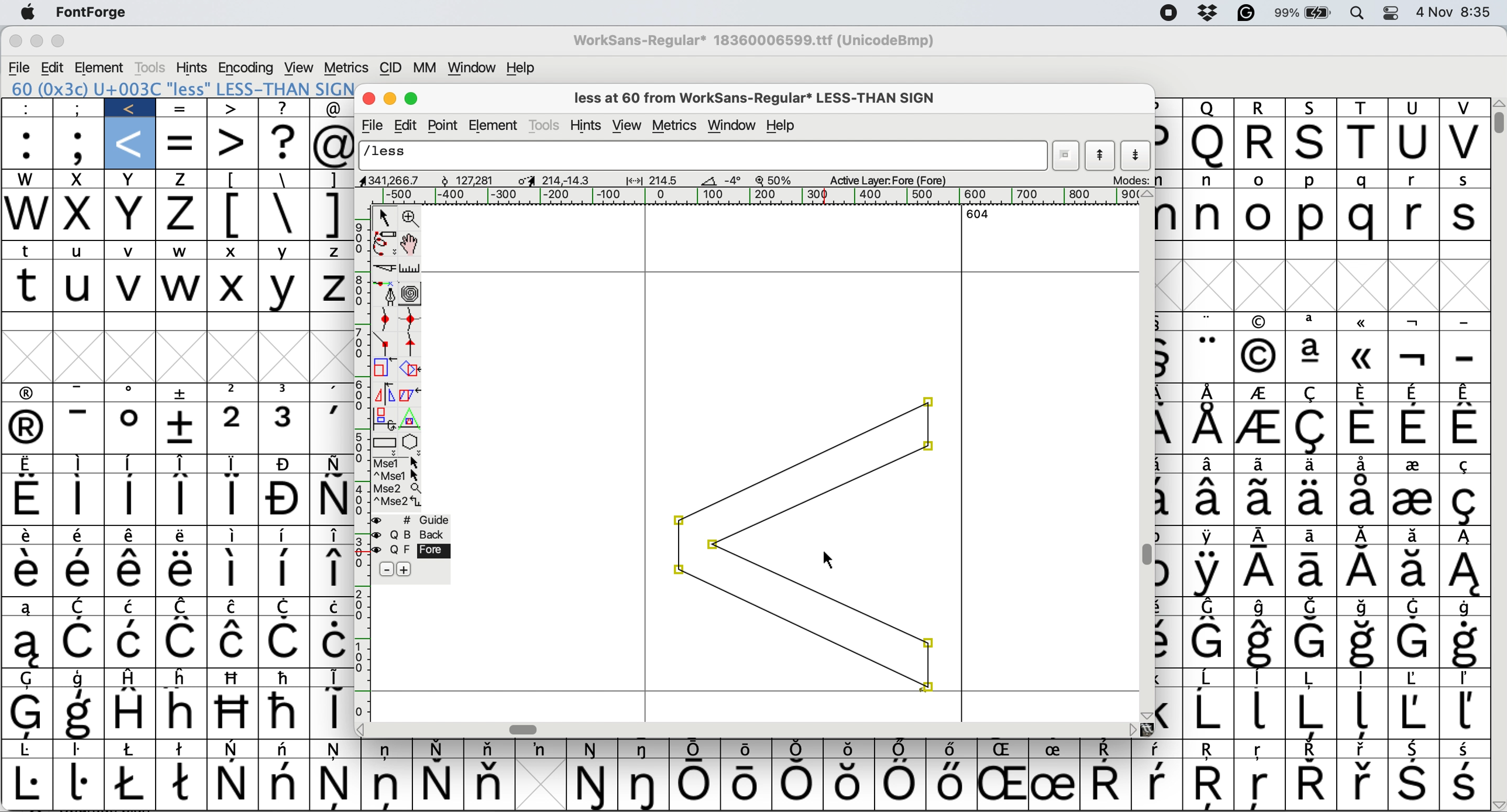 This screenshot has height=812, width=1507. What do you see at coordinates (83, 500) in the screenshot?
I see `Symbol` at bounding box center [83, 500].